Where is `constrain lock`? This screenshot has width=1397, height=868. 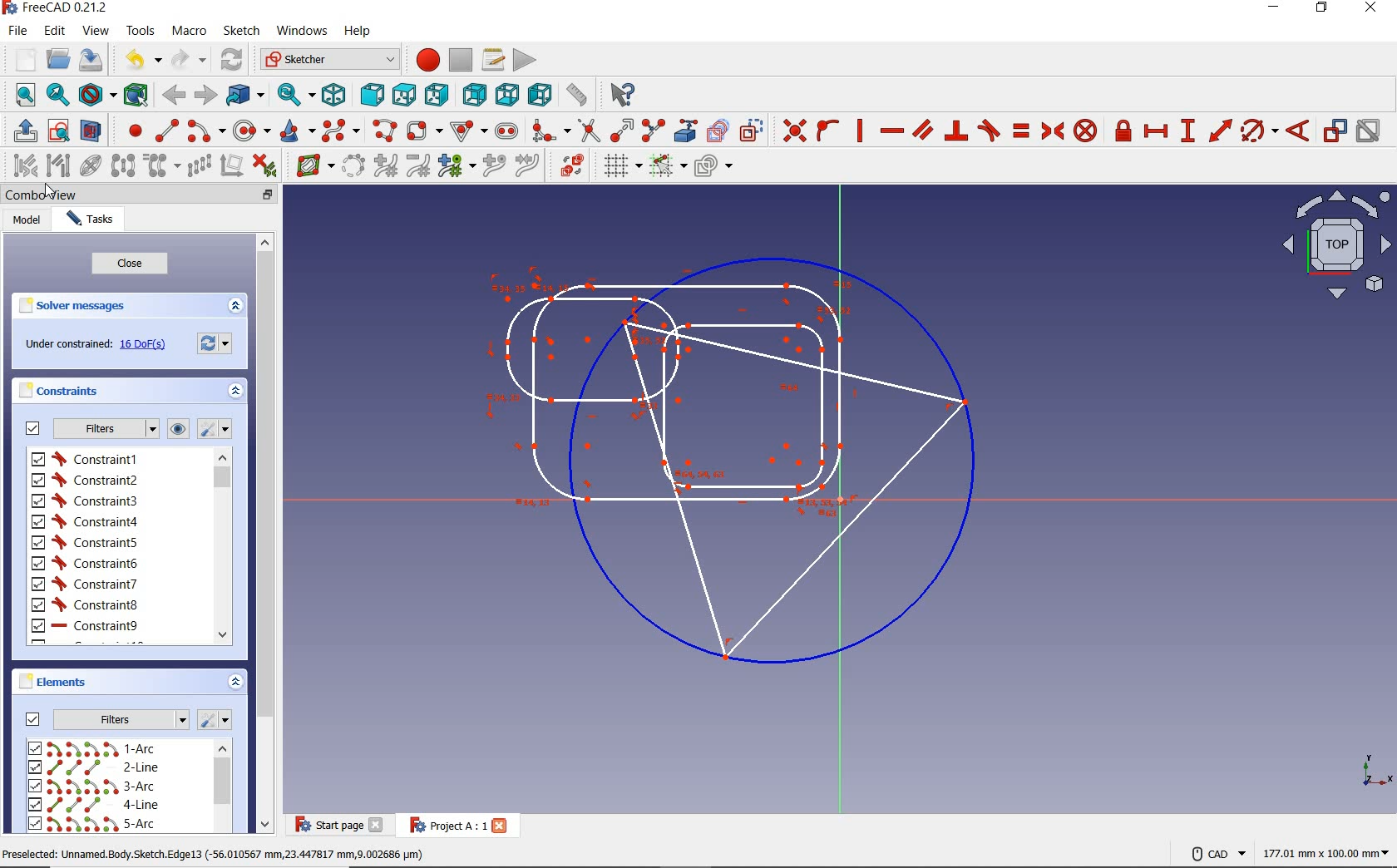 constrain lock is located at coordinates (1123, 132).